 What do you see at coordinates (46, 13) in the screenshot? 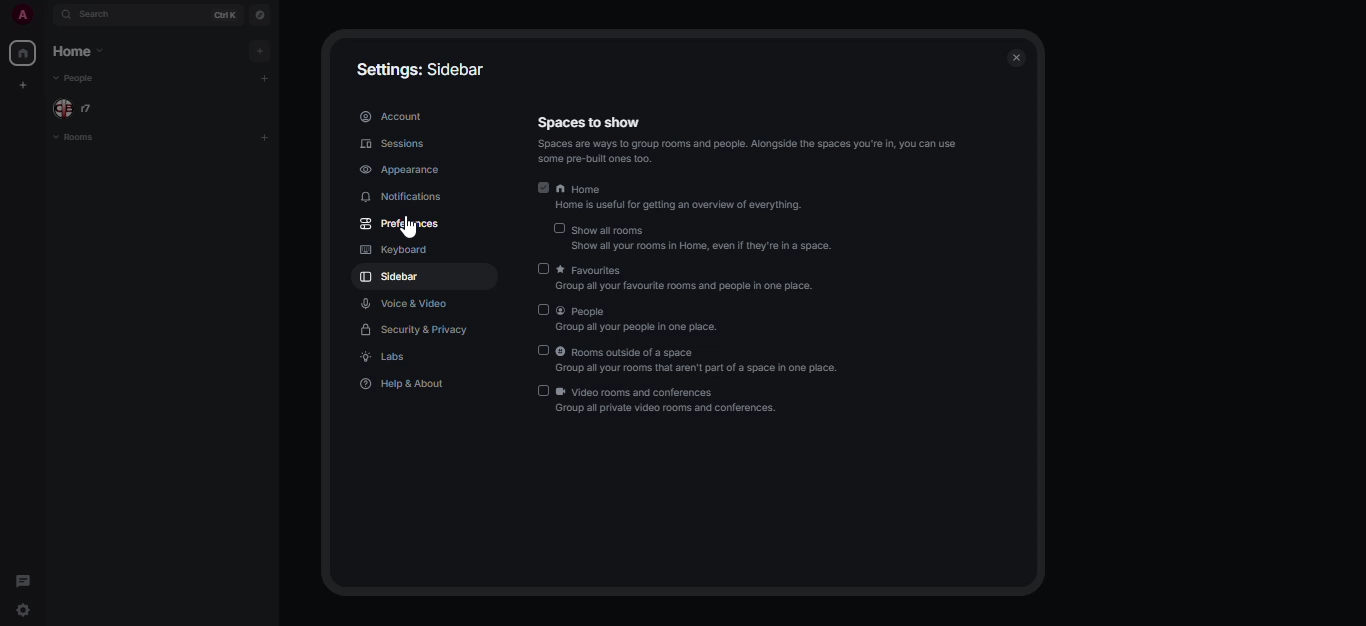
I see `expand` at bounding box center [46, 13].